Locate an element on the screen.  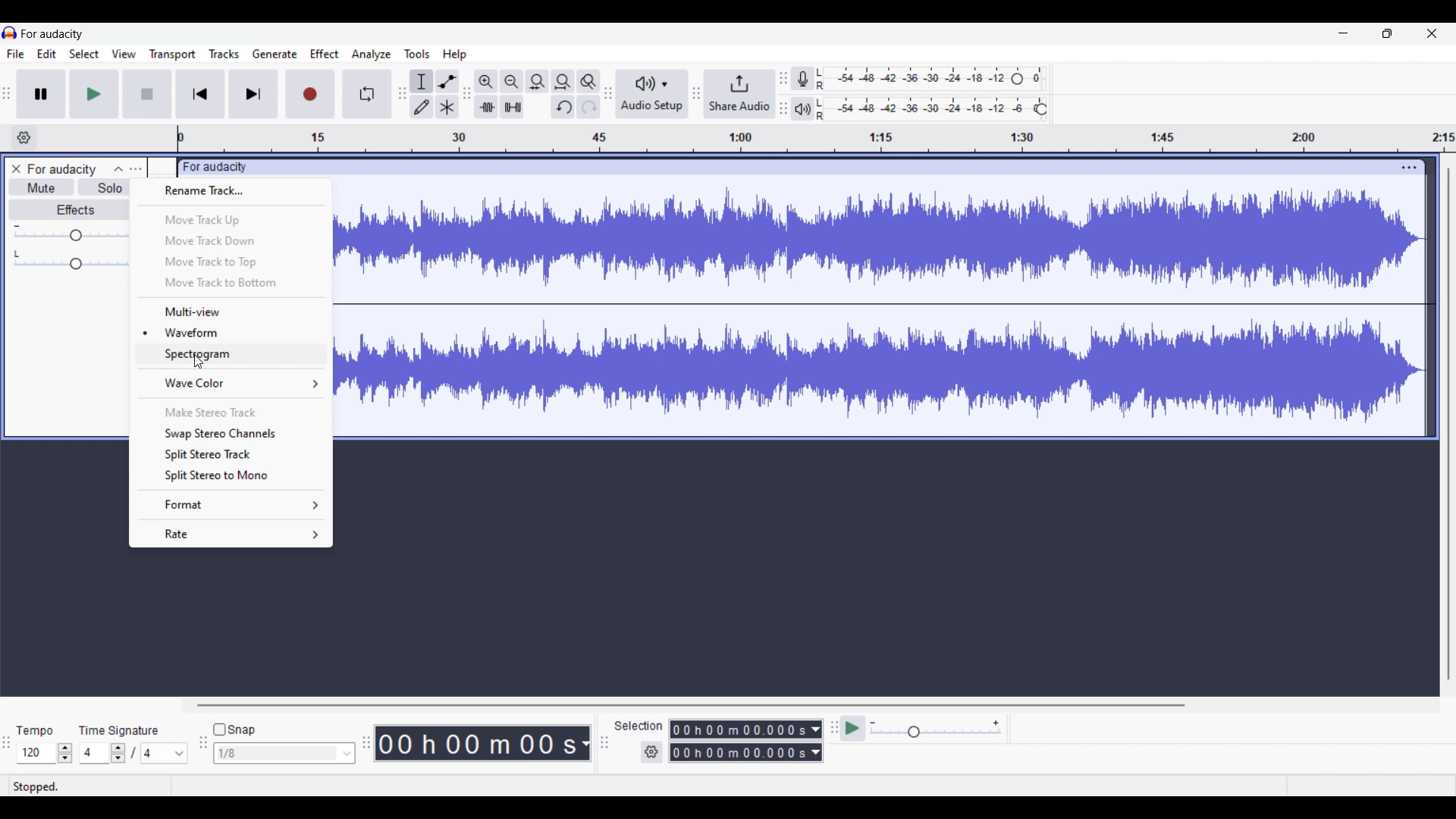
Selection duration measurement is located at coordinates (816, 741).